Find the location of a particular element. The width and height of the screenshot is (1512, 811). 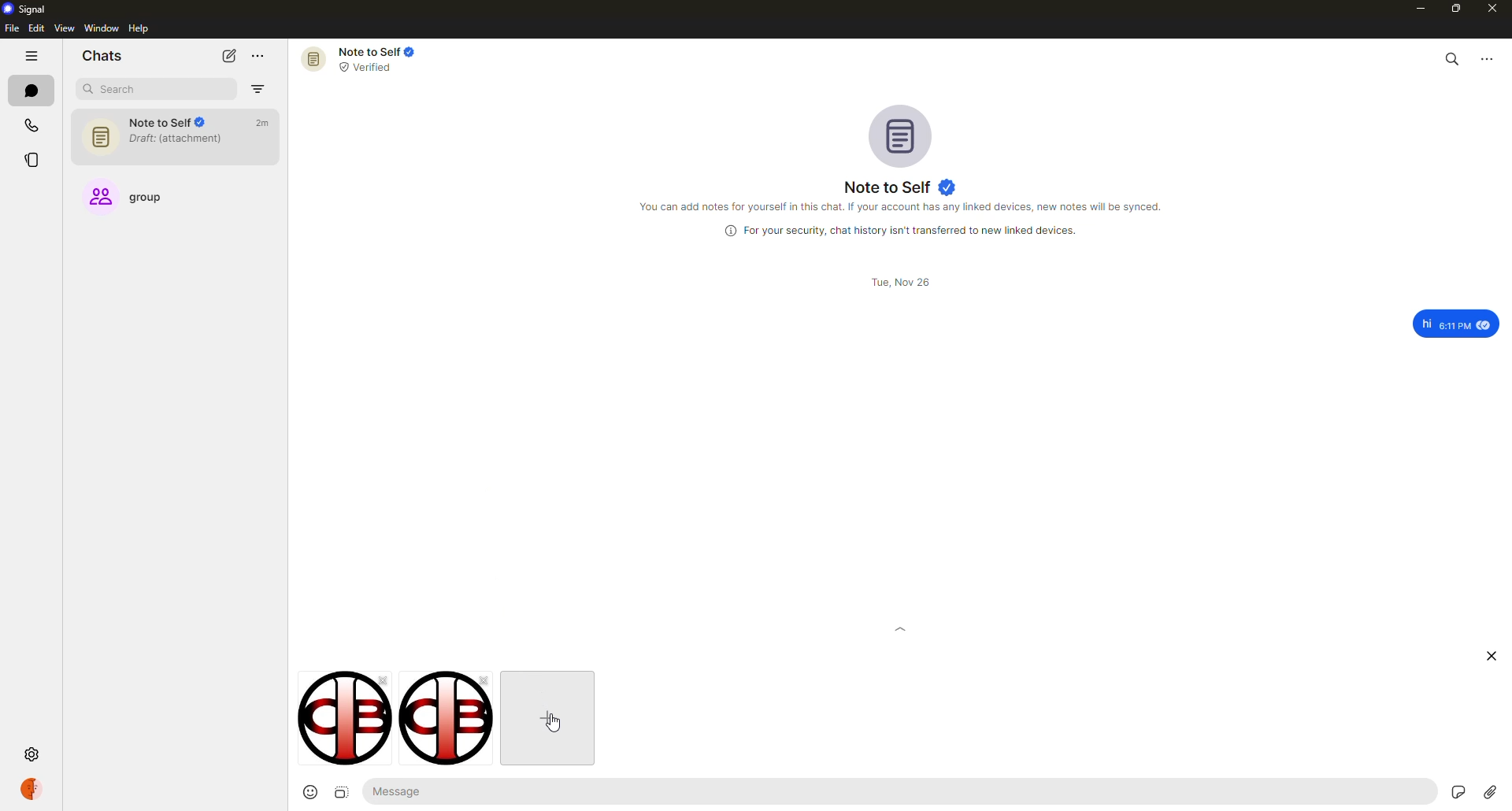

attach is located at coordinates (1490, 792).